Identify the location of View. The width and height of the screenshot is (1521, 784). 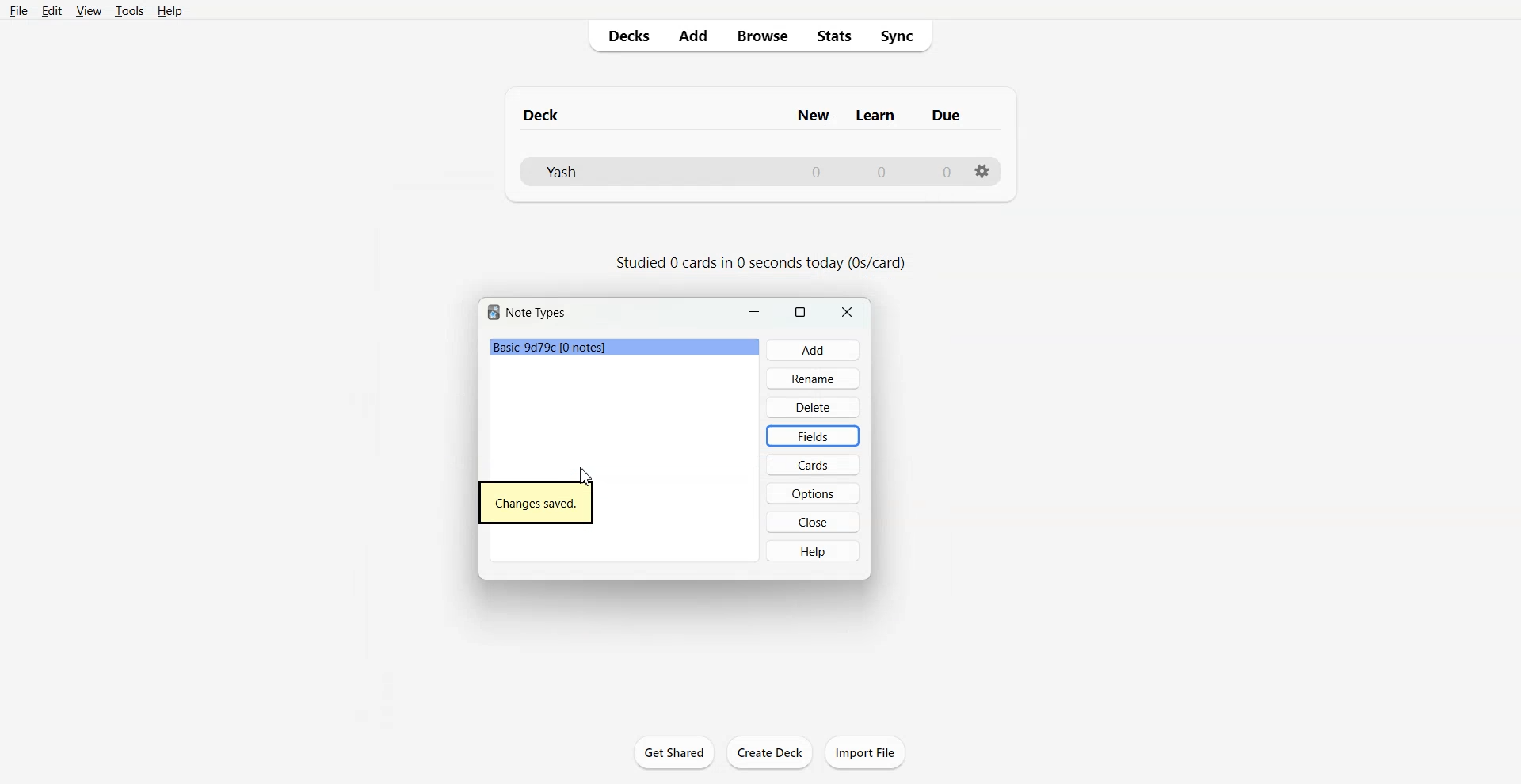
(90, 10).